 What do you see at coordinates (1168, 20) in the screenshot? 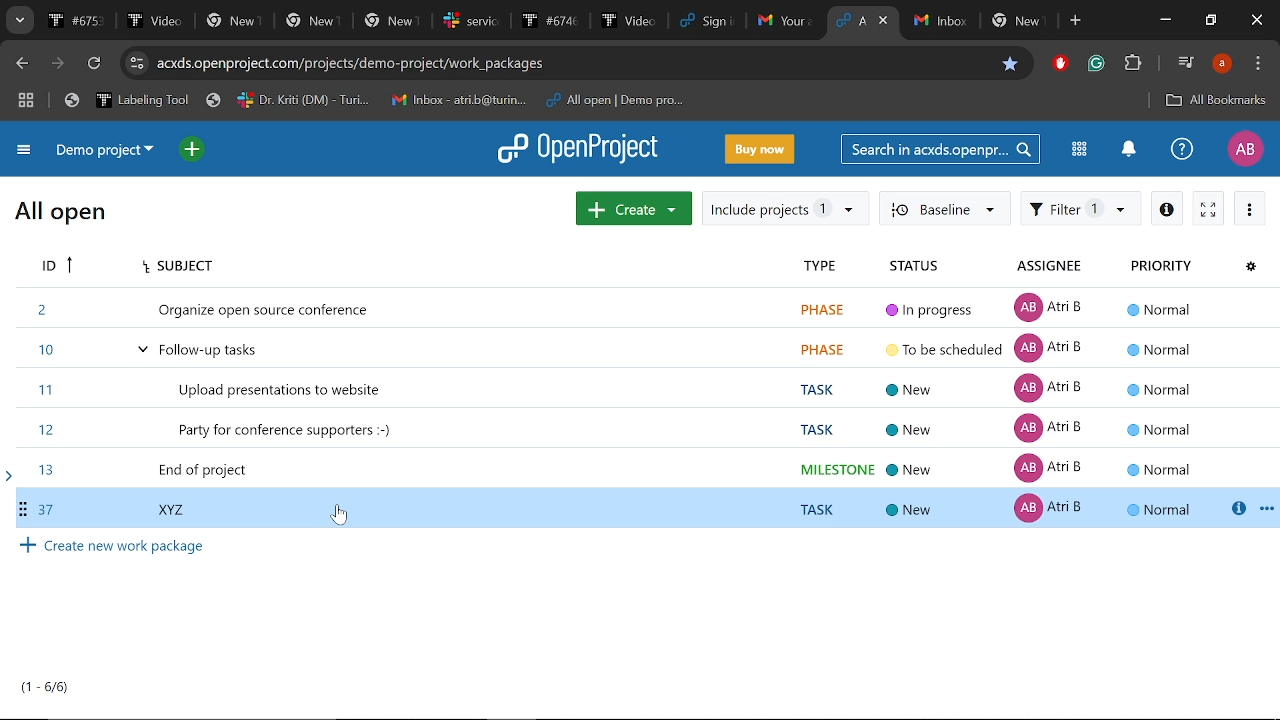
I see `Minimize` at bounding box center [1168, 20].